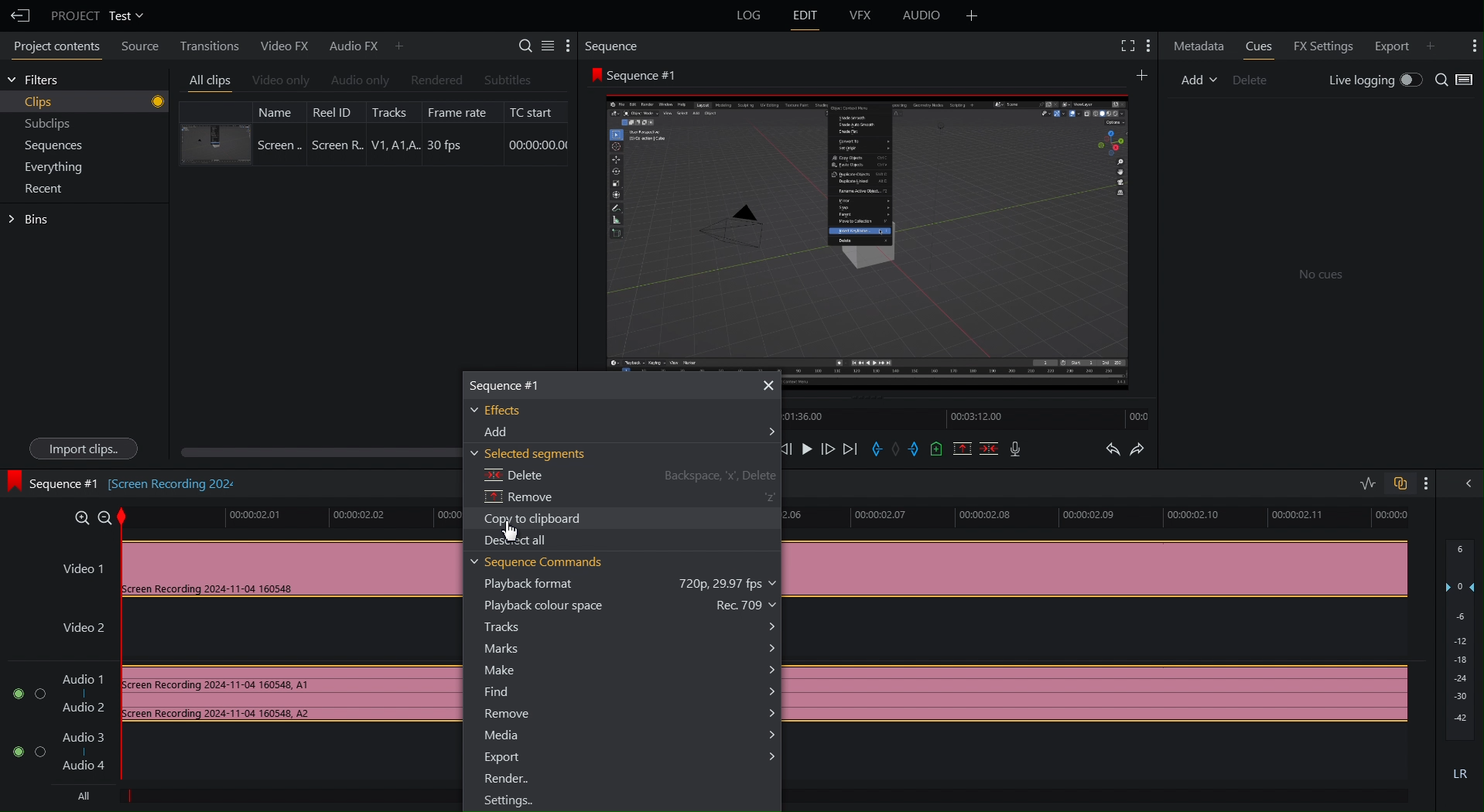 Image resolution: width=1484 pixels, height=812 pixels. Describe the element at coordinates (631, 498) in the screenshot. I see `Remove` at that location.